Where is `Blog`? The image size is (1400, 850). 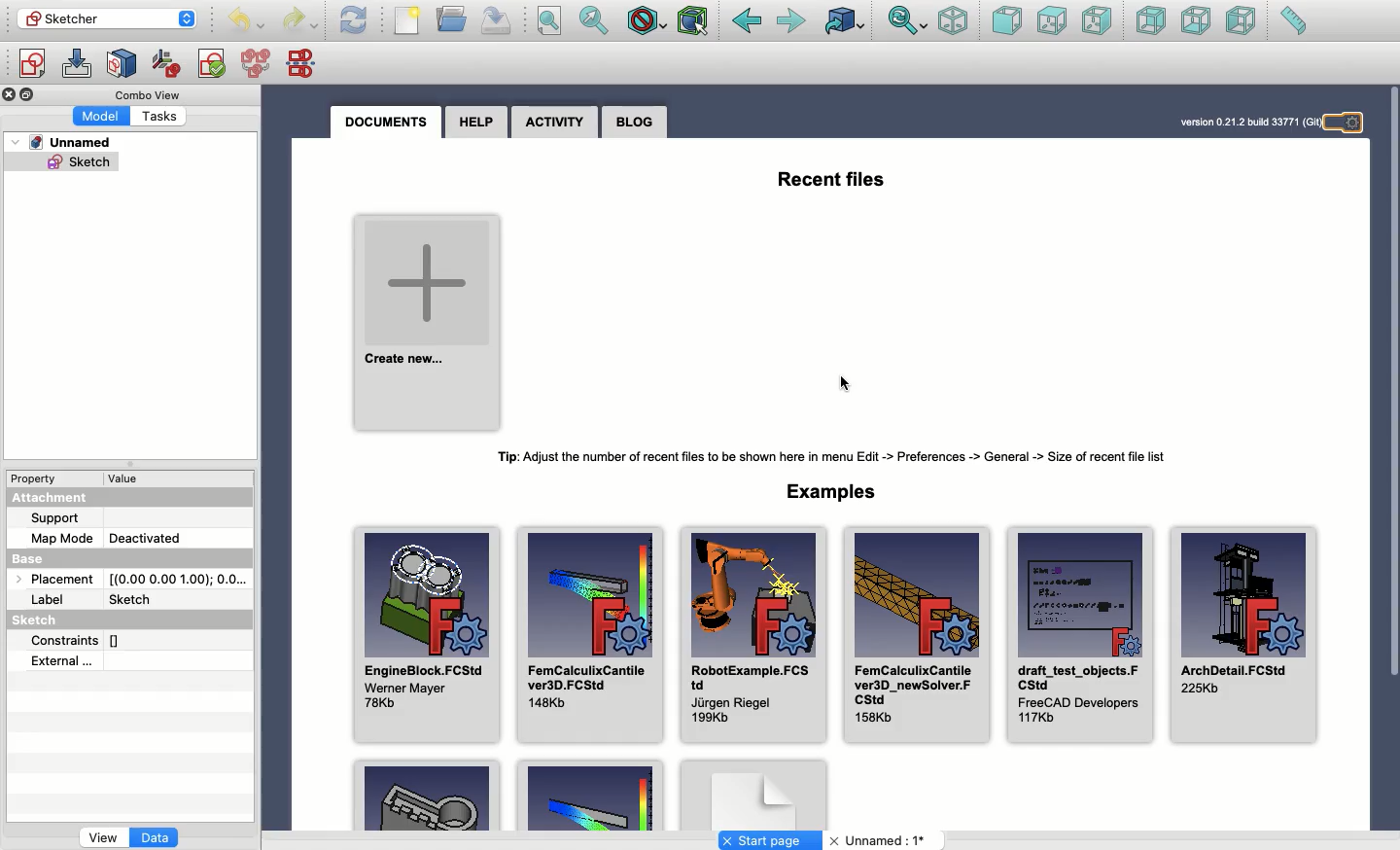 Blog is located at coordinates (634, 123).